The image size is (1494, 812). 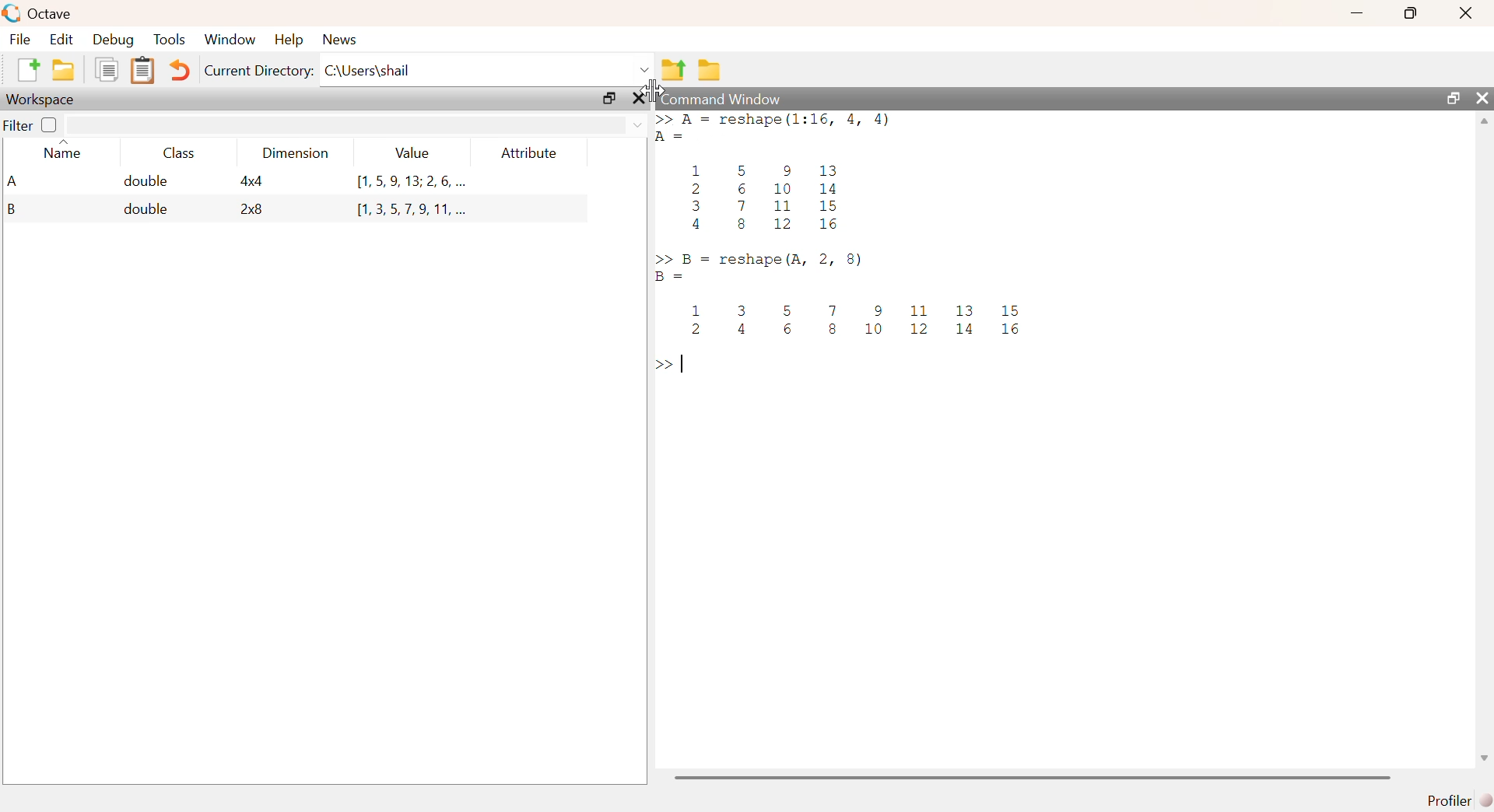 What do you see at coordinates (488, 69) in the screenshot?
I see `C\Users\shail ` at bounding box center [488, 69].